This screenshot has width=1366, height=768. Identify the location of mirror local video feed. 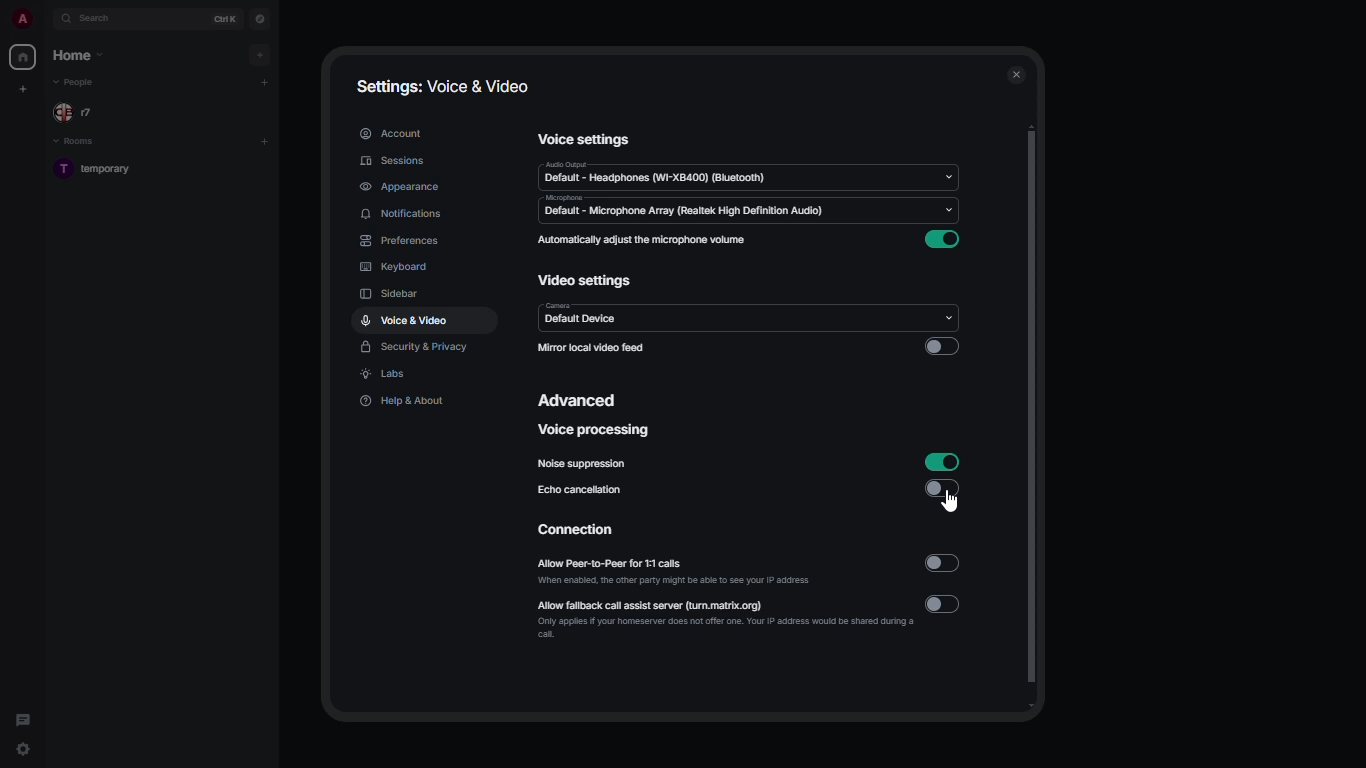
(595, 348).